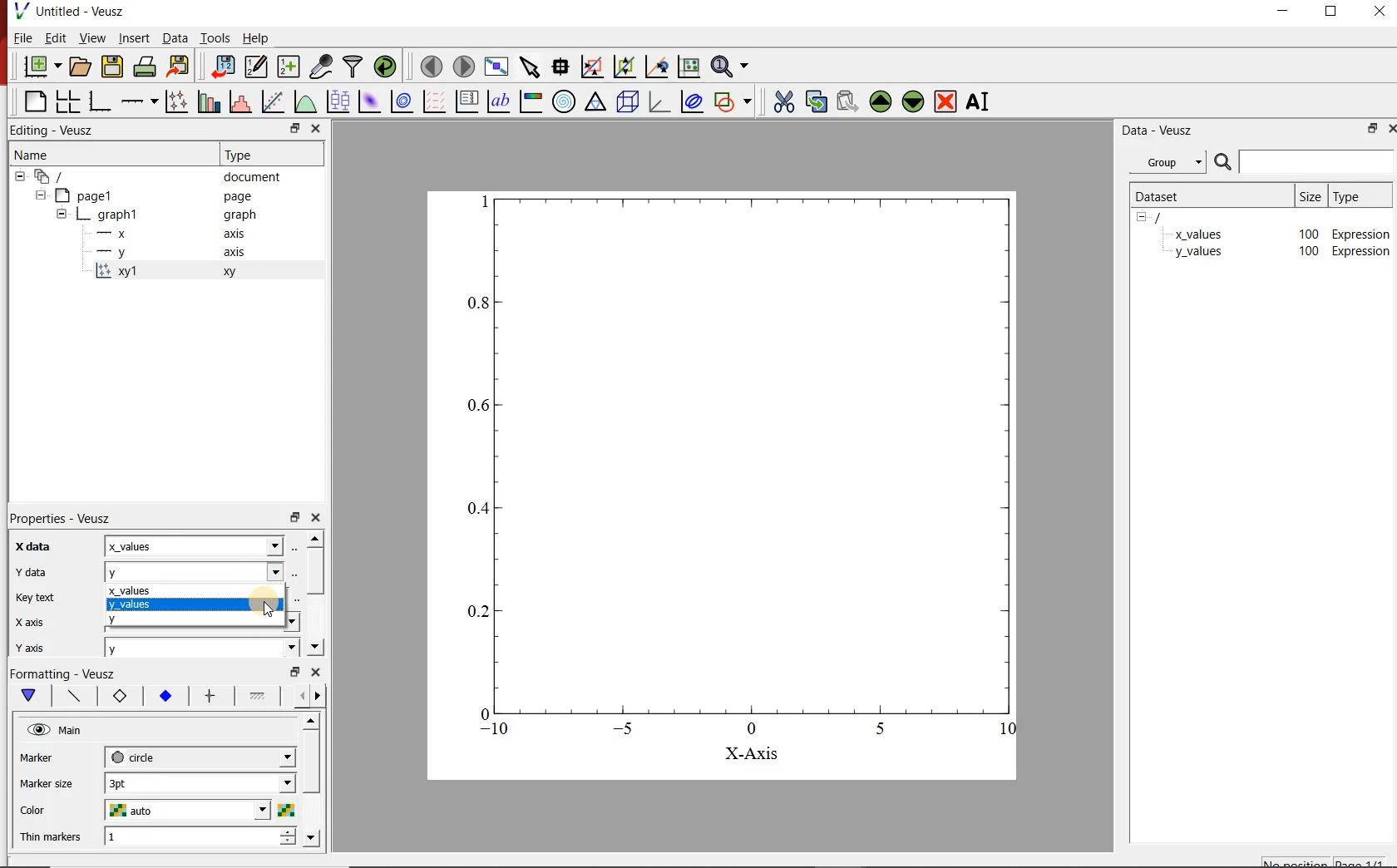  Describe the element at coordinates (303, 100) in the screenshot. I see `plot a function` at that location.